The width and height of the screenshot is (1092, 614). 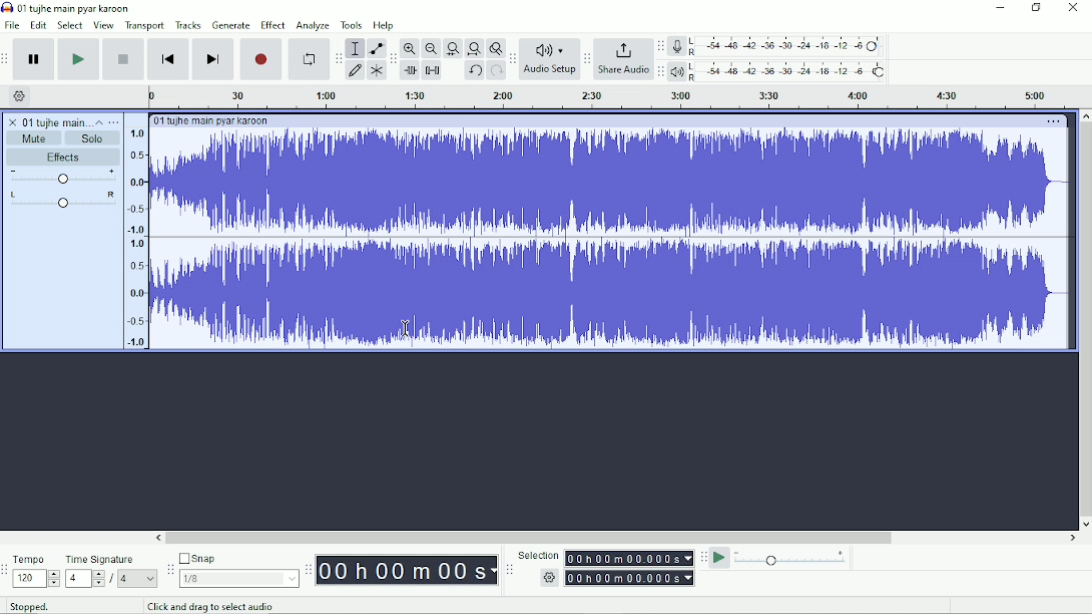 What do you see at coordinates (475, 71) in the screenshot?
I see `Undo` at bounding box center [475, 71].